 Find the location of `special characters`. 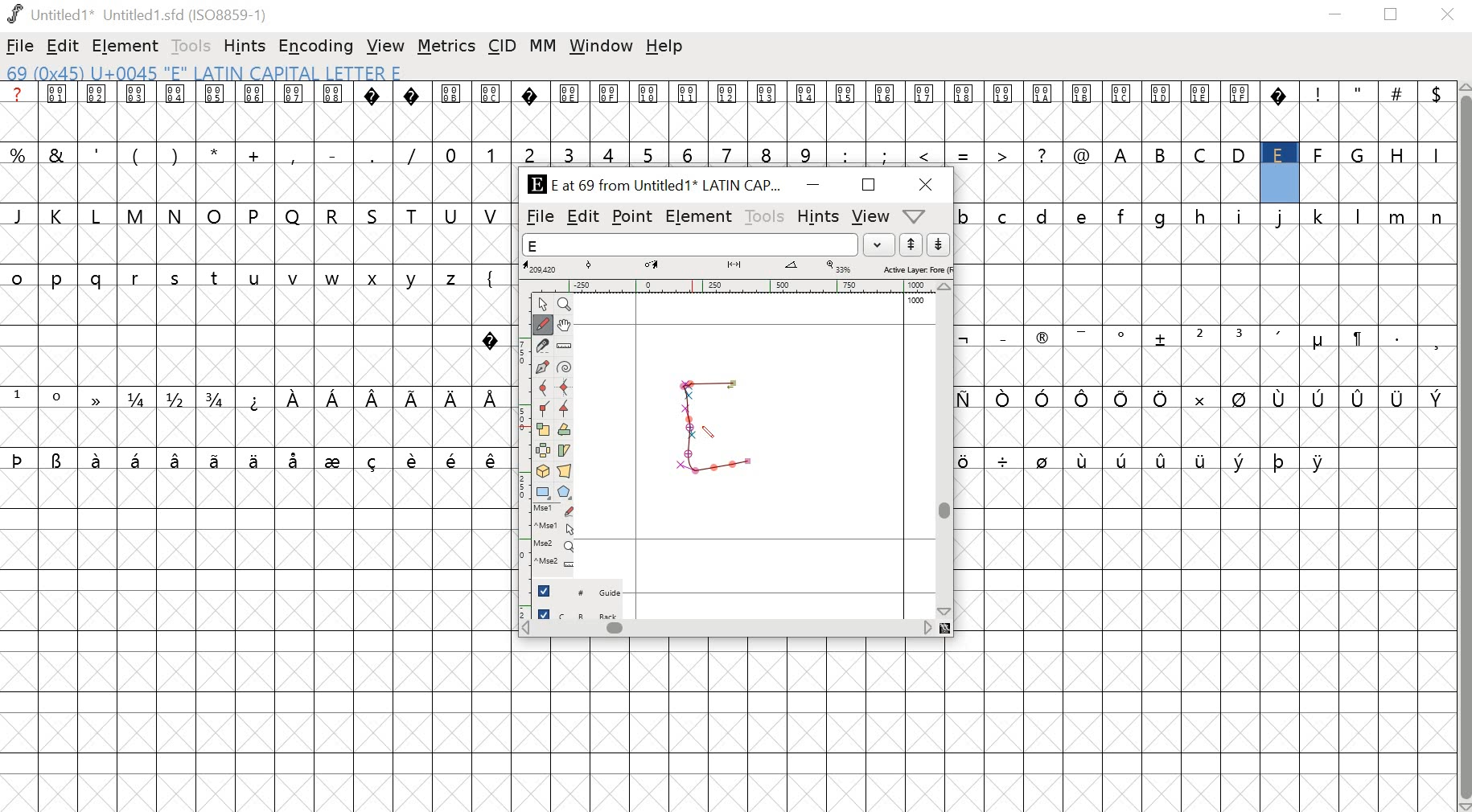

special characters is located at coordinates (1205, 400).